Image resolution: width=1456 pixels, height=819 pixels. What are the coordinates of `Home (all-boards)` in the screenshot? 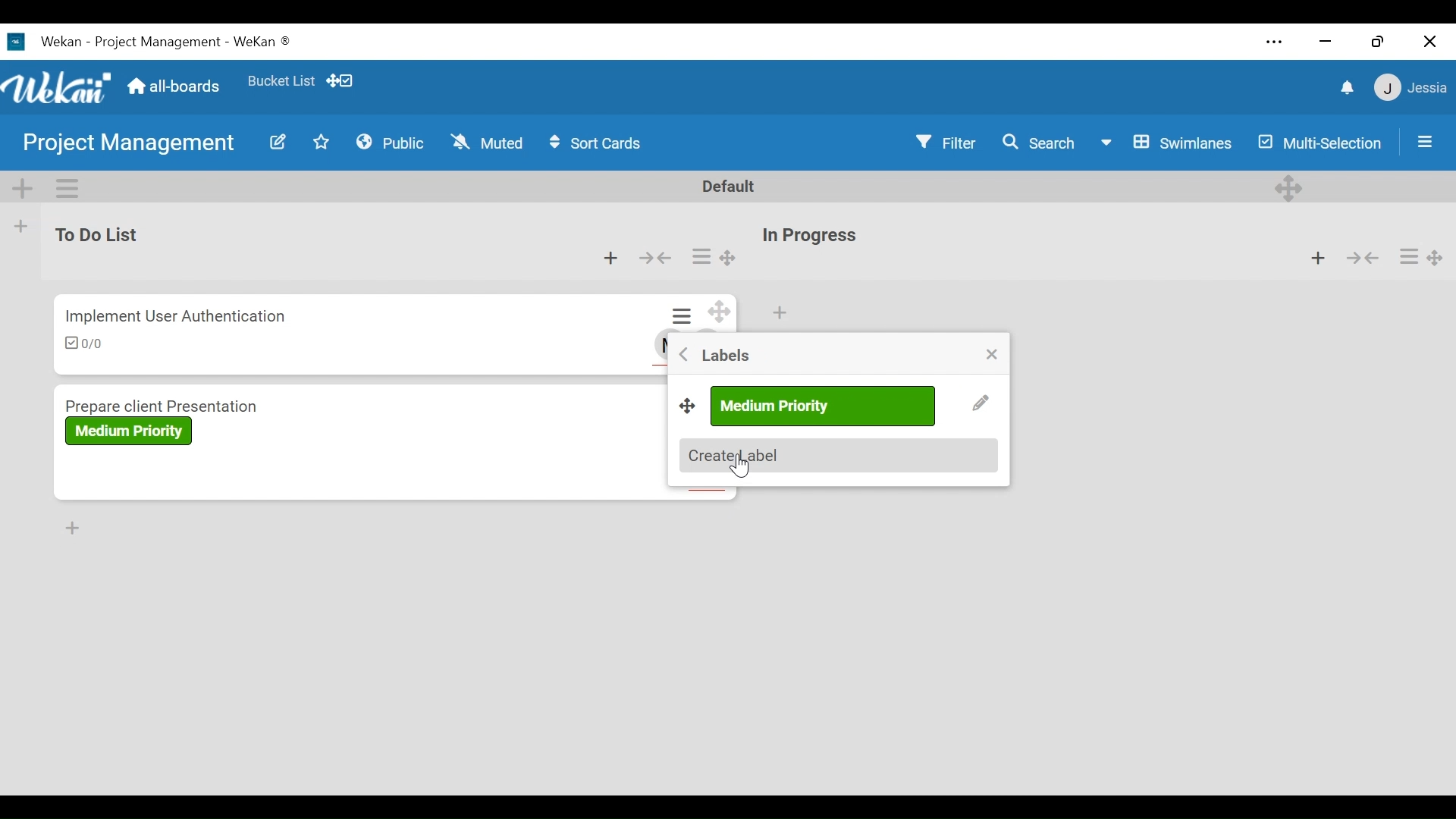 It's located at (172, 86).